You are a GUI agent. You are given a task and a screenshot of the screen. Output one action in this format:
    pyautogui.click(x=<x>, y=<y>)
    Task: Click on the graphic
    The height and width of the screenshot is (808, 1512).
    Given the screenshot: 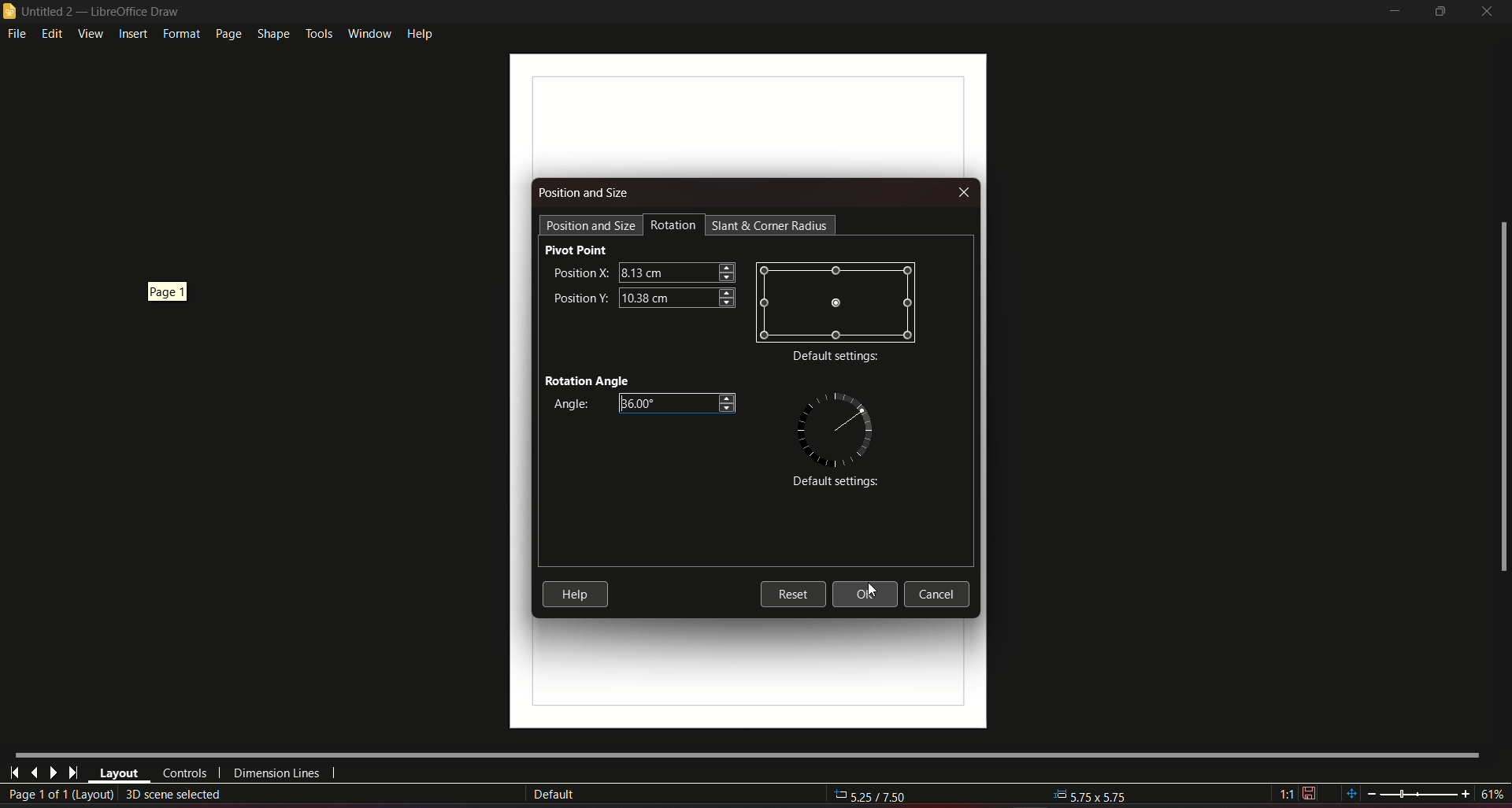 What is the action you would take?
    pyautogui.click(x=836, y=302)
    